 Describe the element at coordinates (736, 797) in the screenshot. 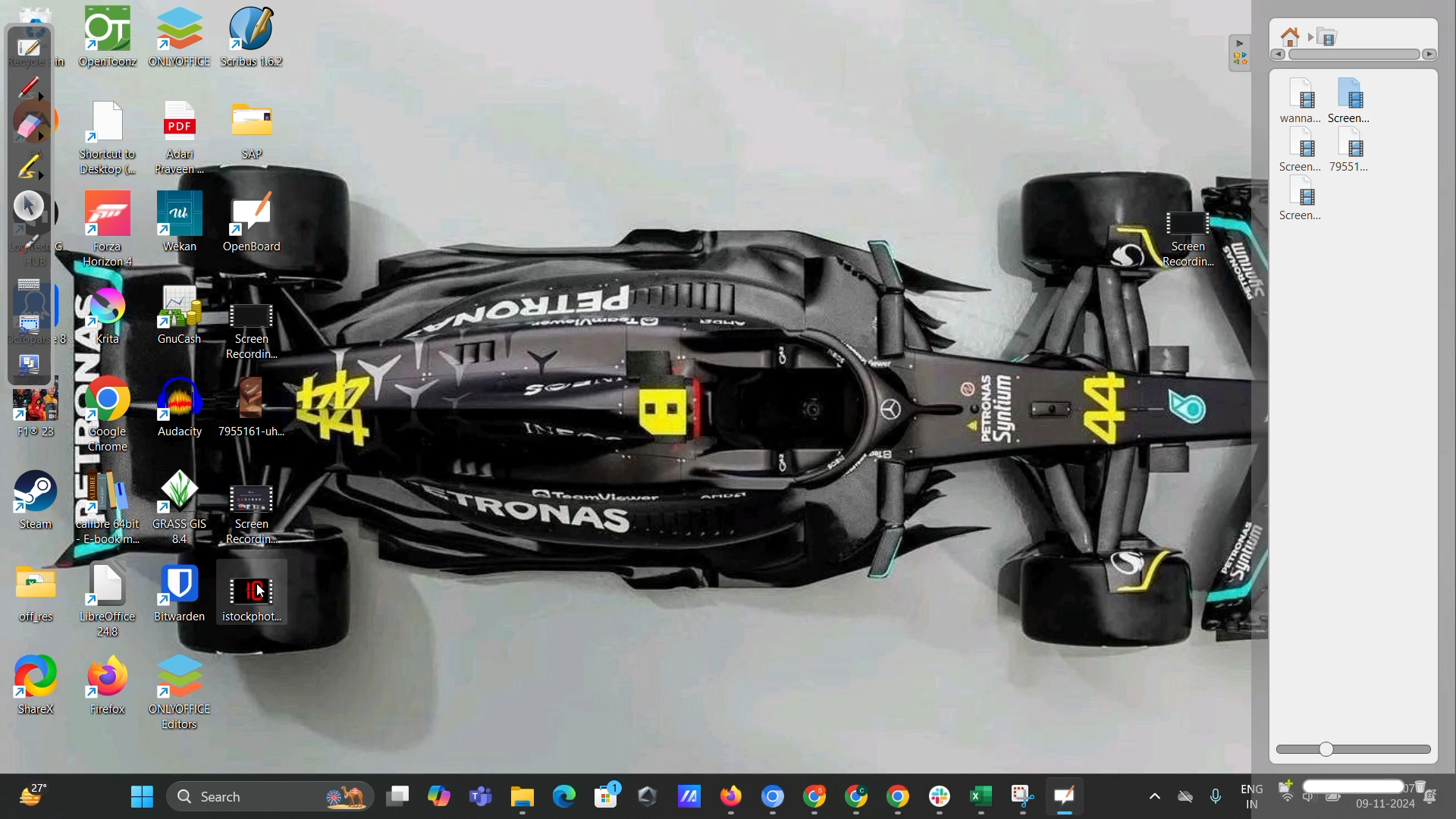

I see `minimized google chrome` at that location.